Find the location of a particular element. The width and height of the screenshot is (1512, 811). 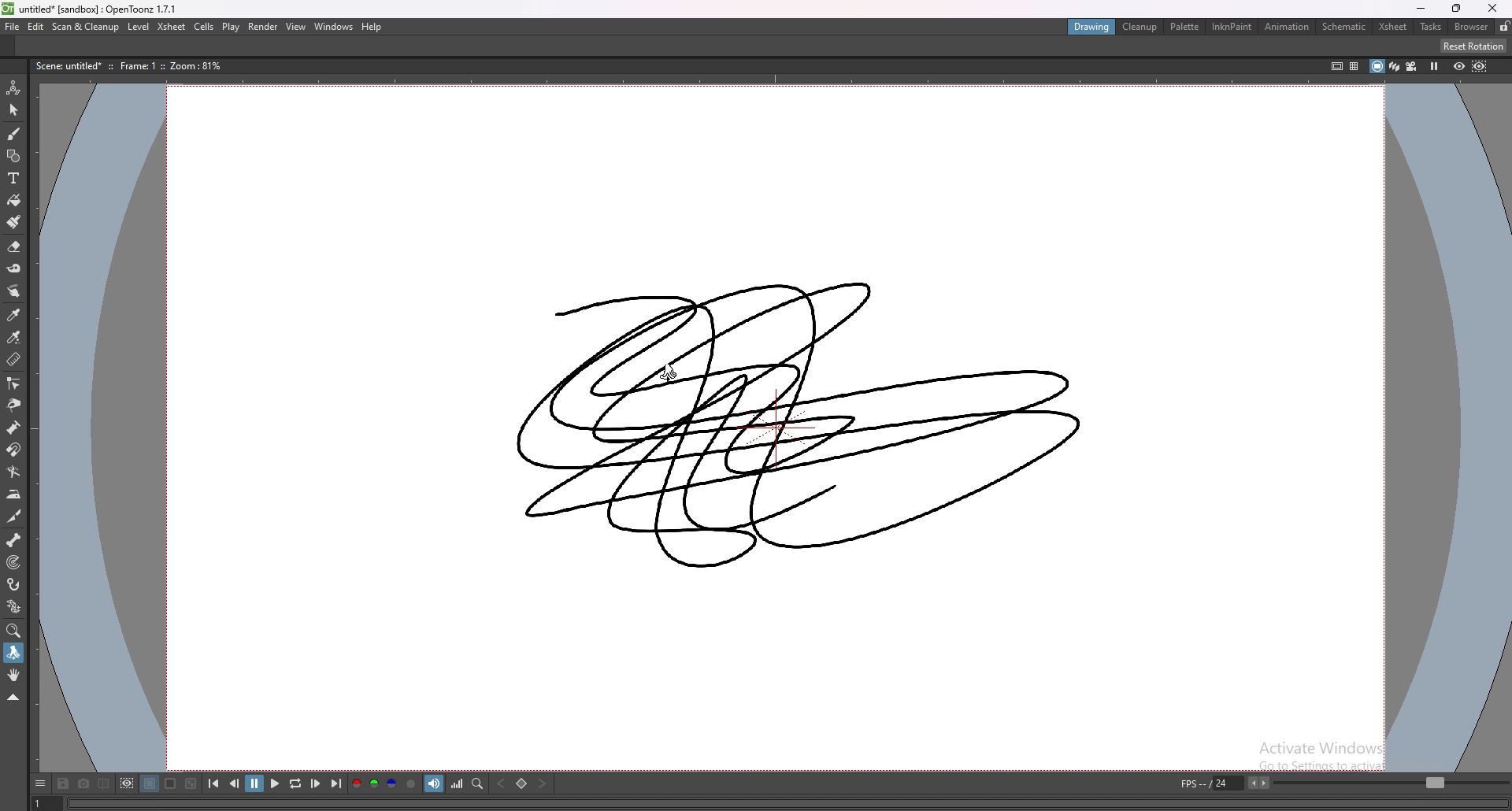

loop is located at coordinates (295, 784).